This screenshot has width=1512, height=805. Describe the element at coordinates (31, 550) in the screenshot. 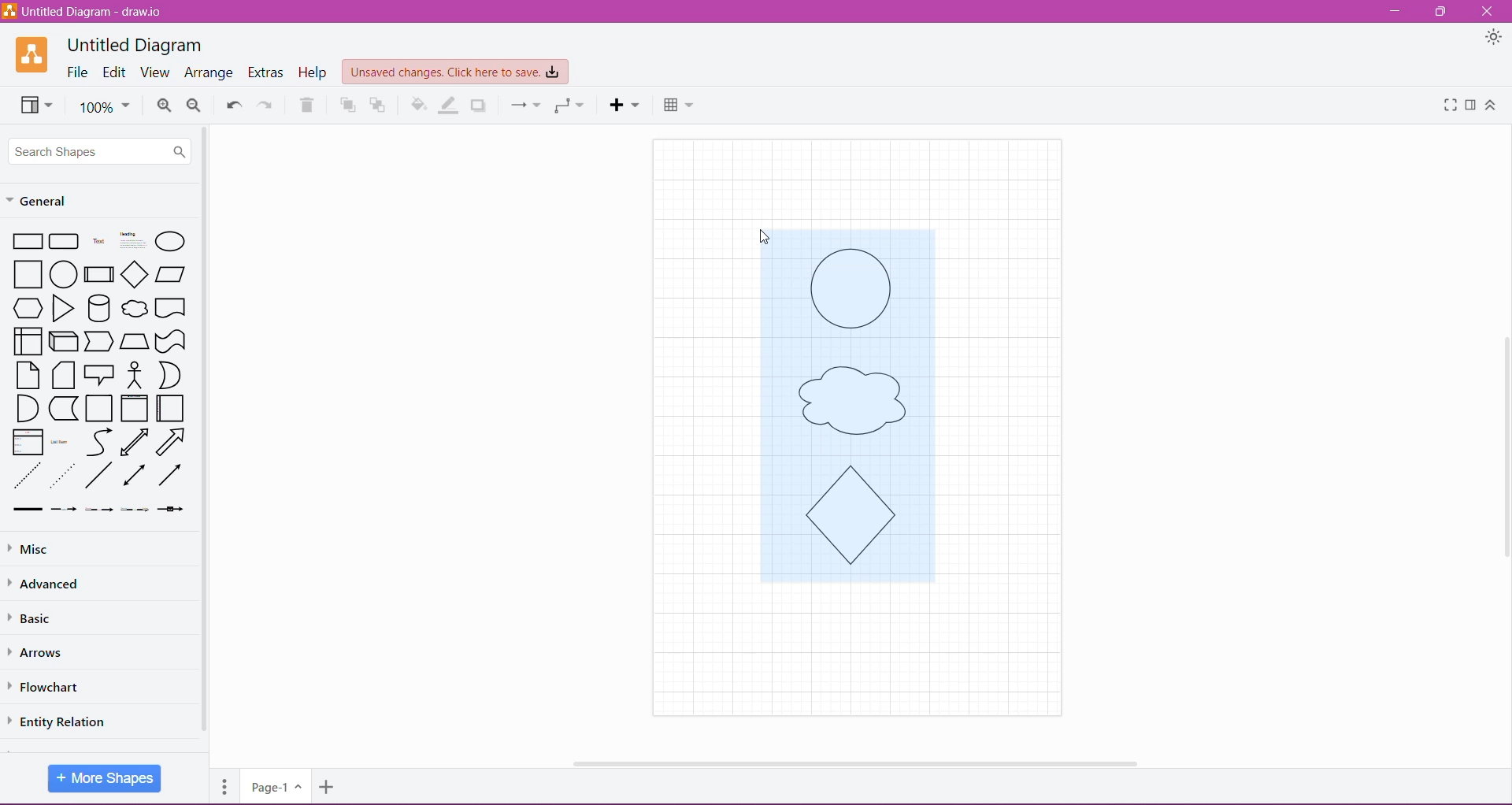

I see `Misc` at that location.